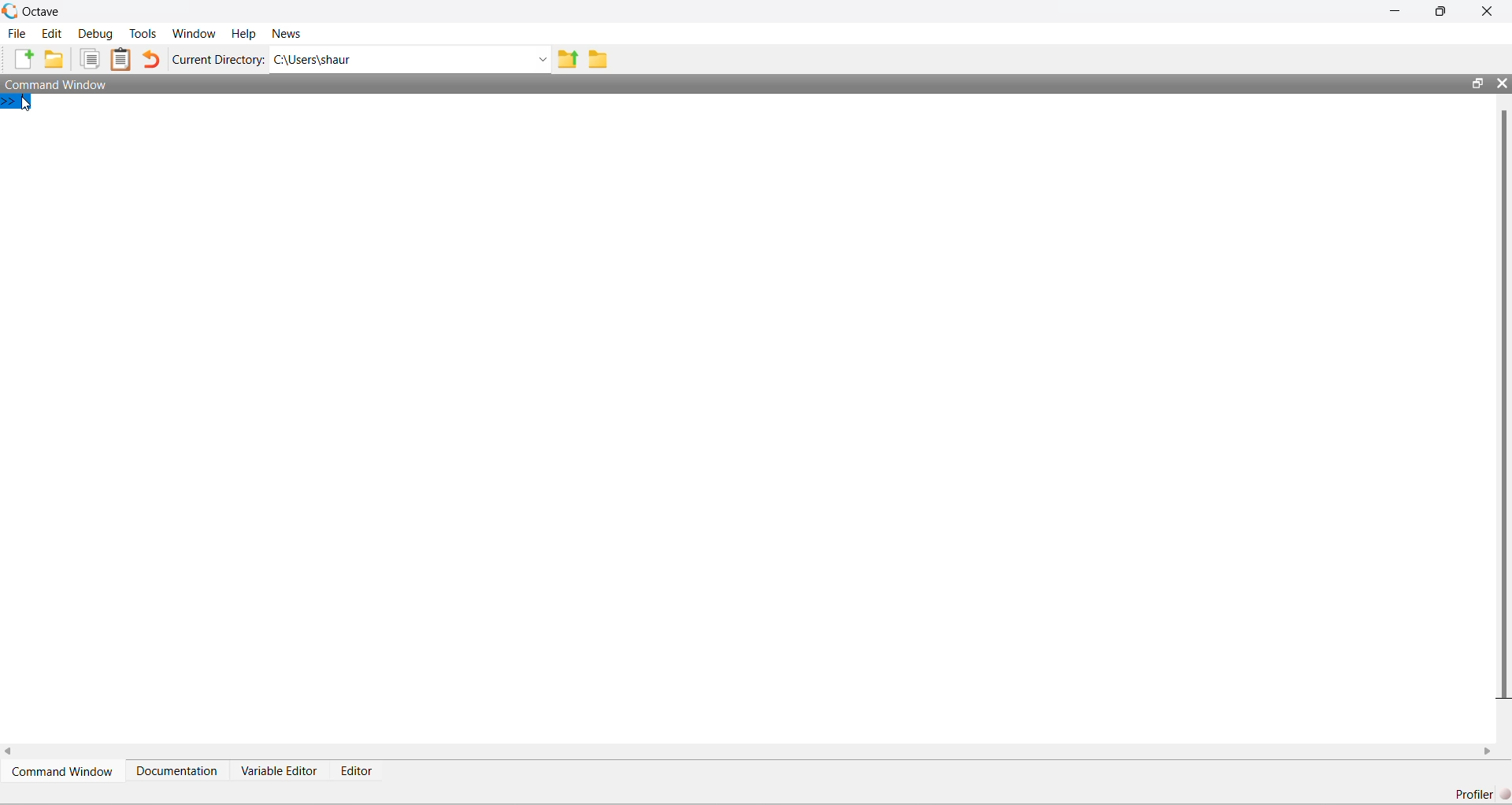 This screenshot has width=1512, height=805. Describe the element at coordinates (64, 771) in the screenshot. I see `Command Window` at that location.